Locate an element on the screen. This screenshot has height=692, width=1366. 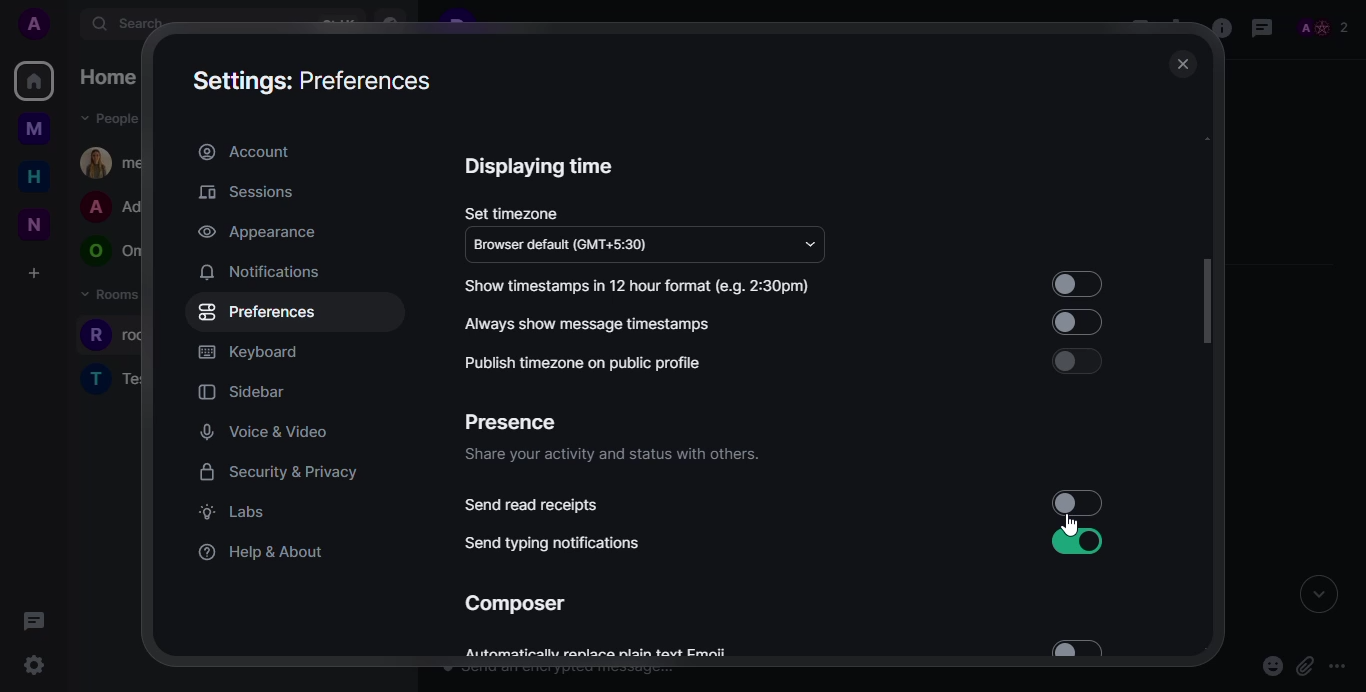
Always show message timestamps is located at coordinates (650, 324).